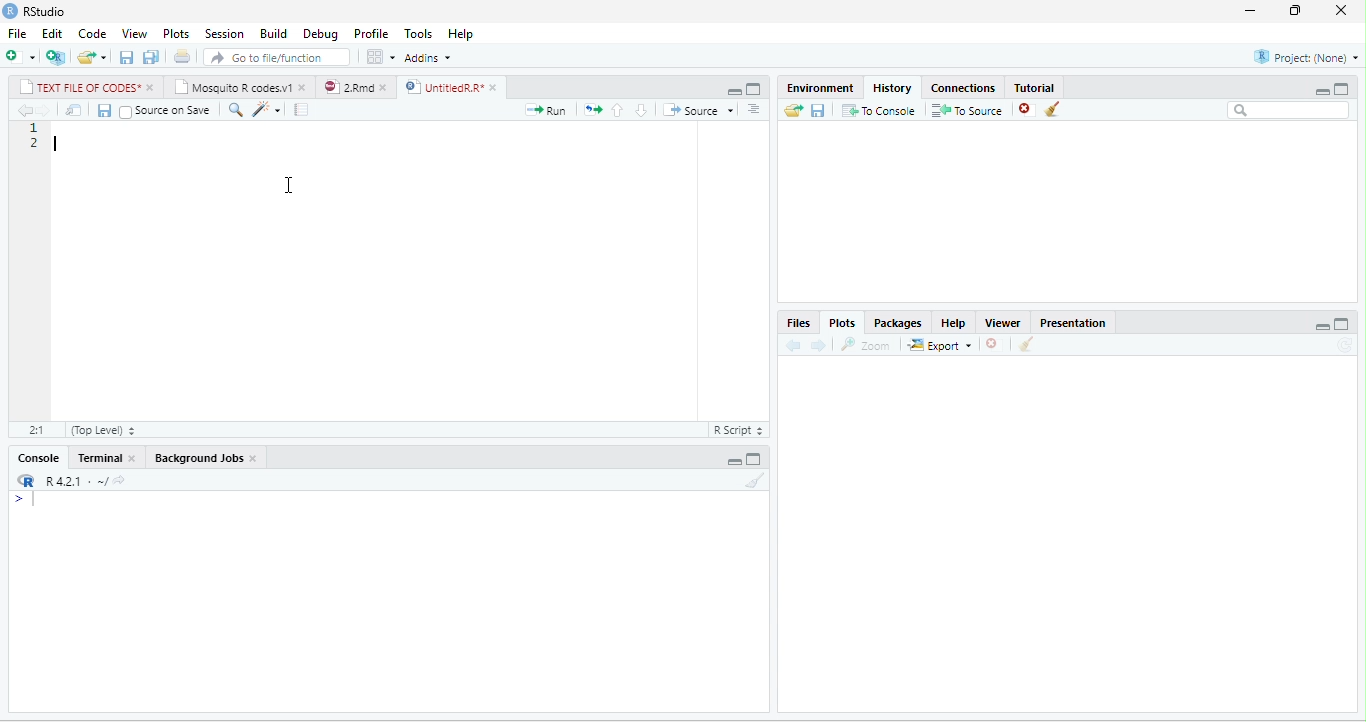 This screenshot has height=722, width=1366. Describe the element at coordinates (754, 109) in the screenshot. I see `options` at that location.